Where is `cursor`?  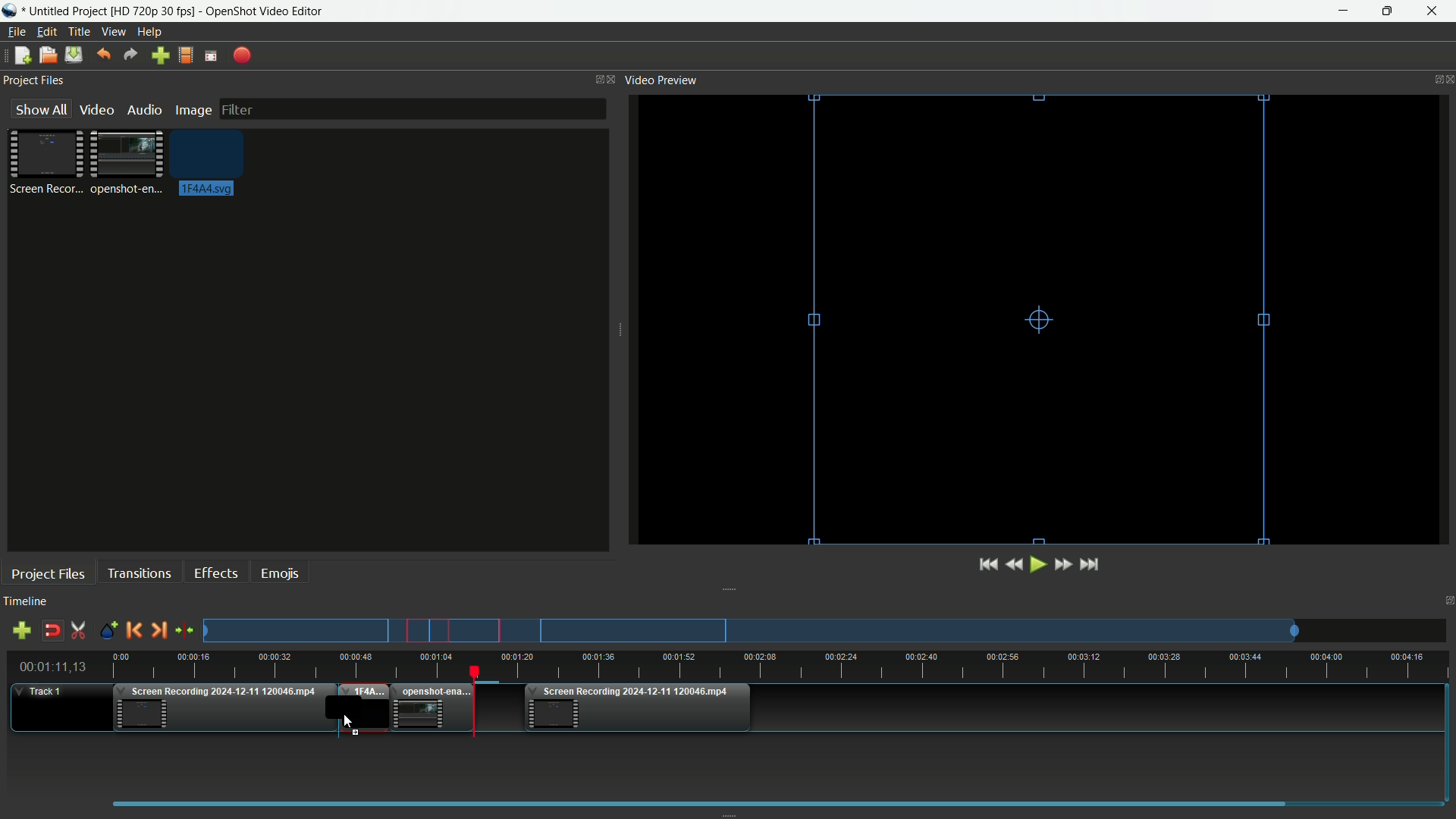 cursor is located at coordinates (347, 720).